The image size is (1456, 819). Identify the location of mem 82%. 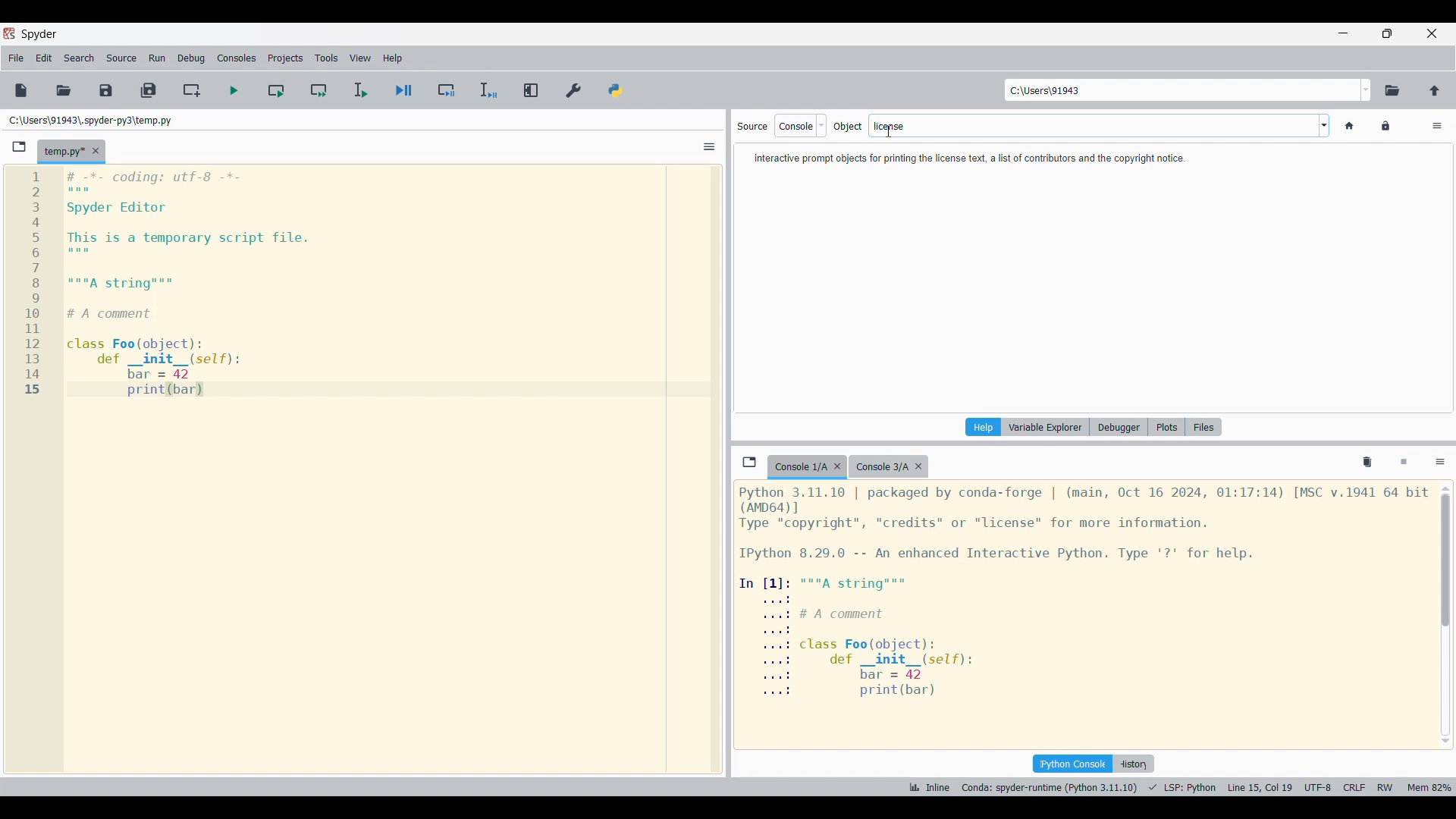
(1432, 785).